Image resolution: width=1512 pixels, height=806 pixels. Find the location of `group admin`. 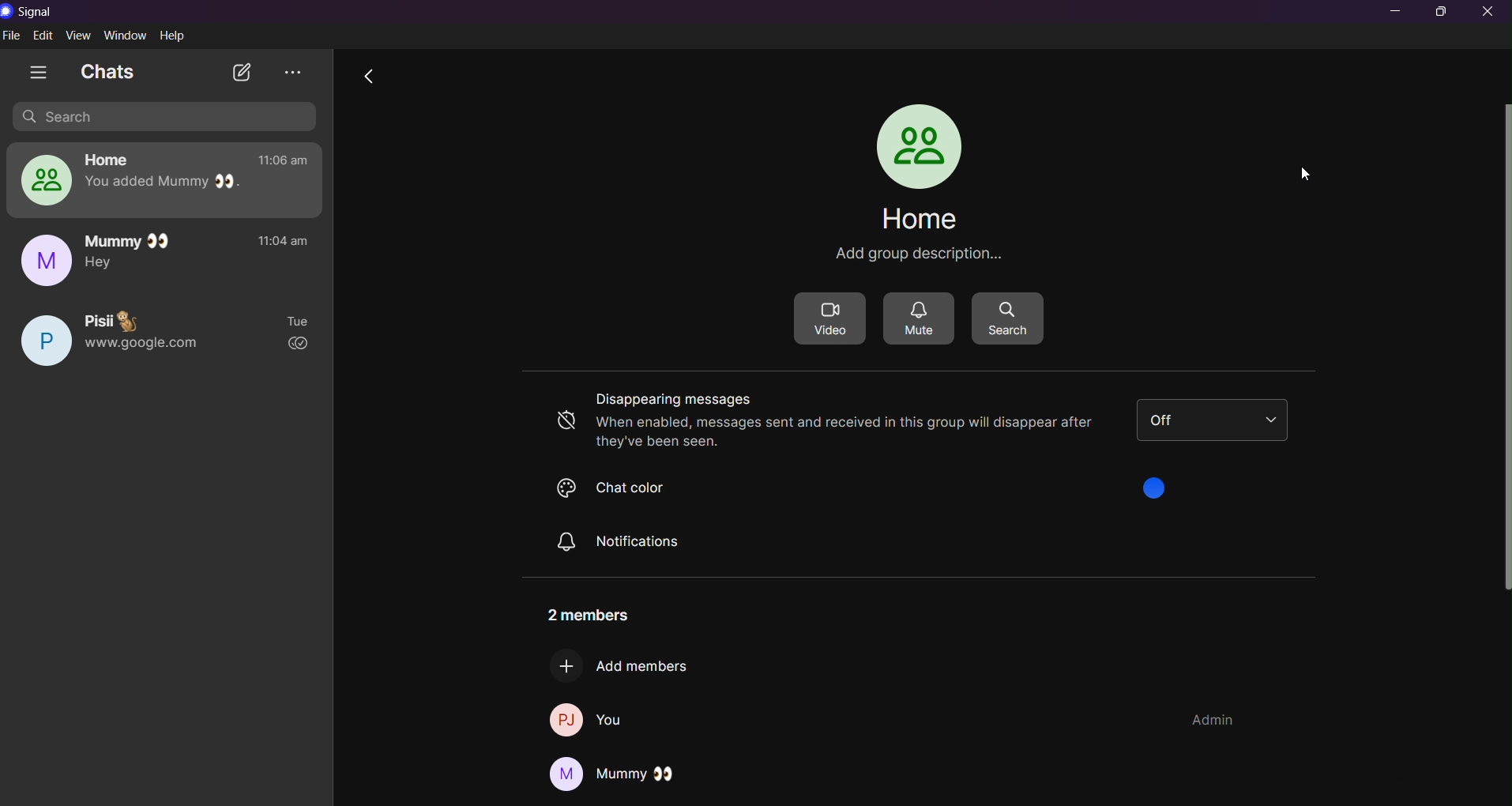

group admin is located at coordinates (1216, 721).